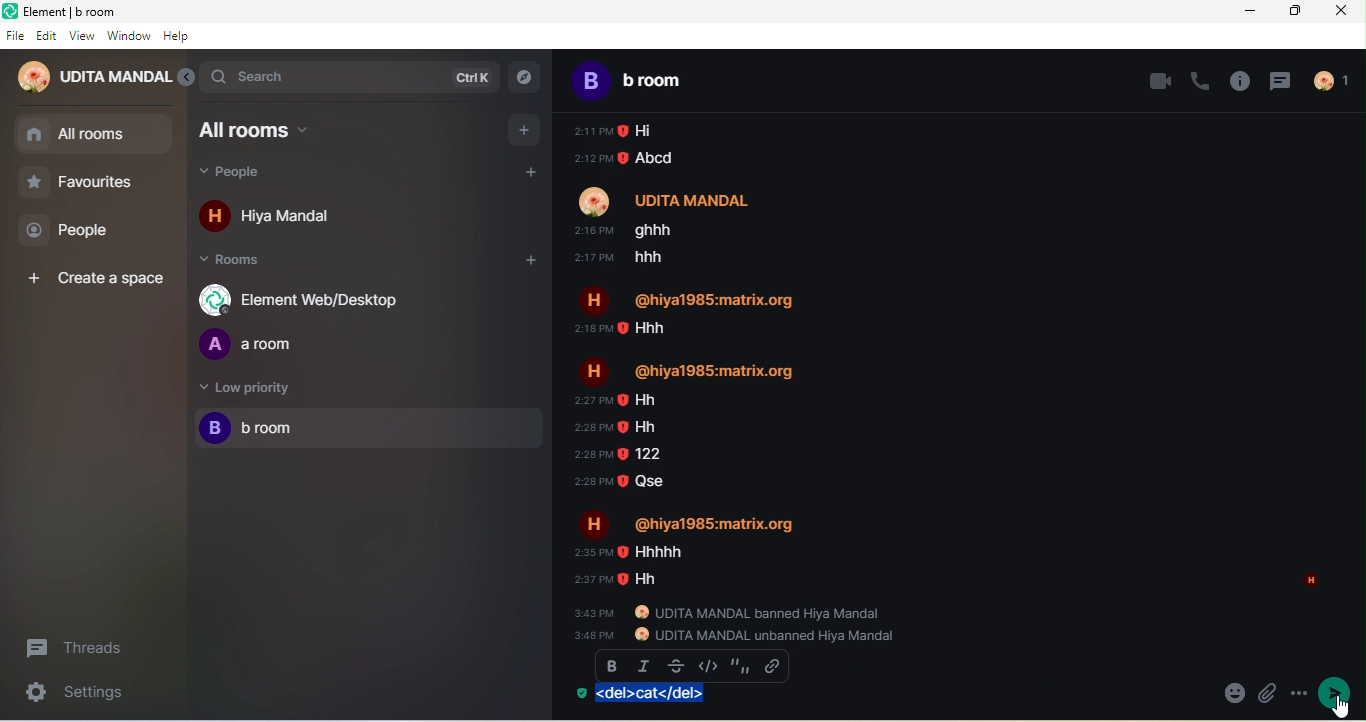 The height and width of the screenshot is (722, 1366). What do you see at coordinates (74, 136) in the screenshot?
I see `all rooms` at bounding box center [74, 136].